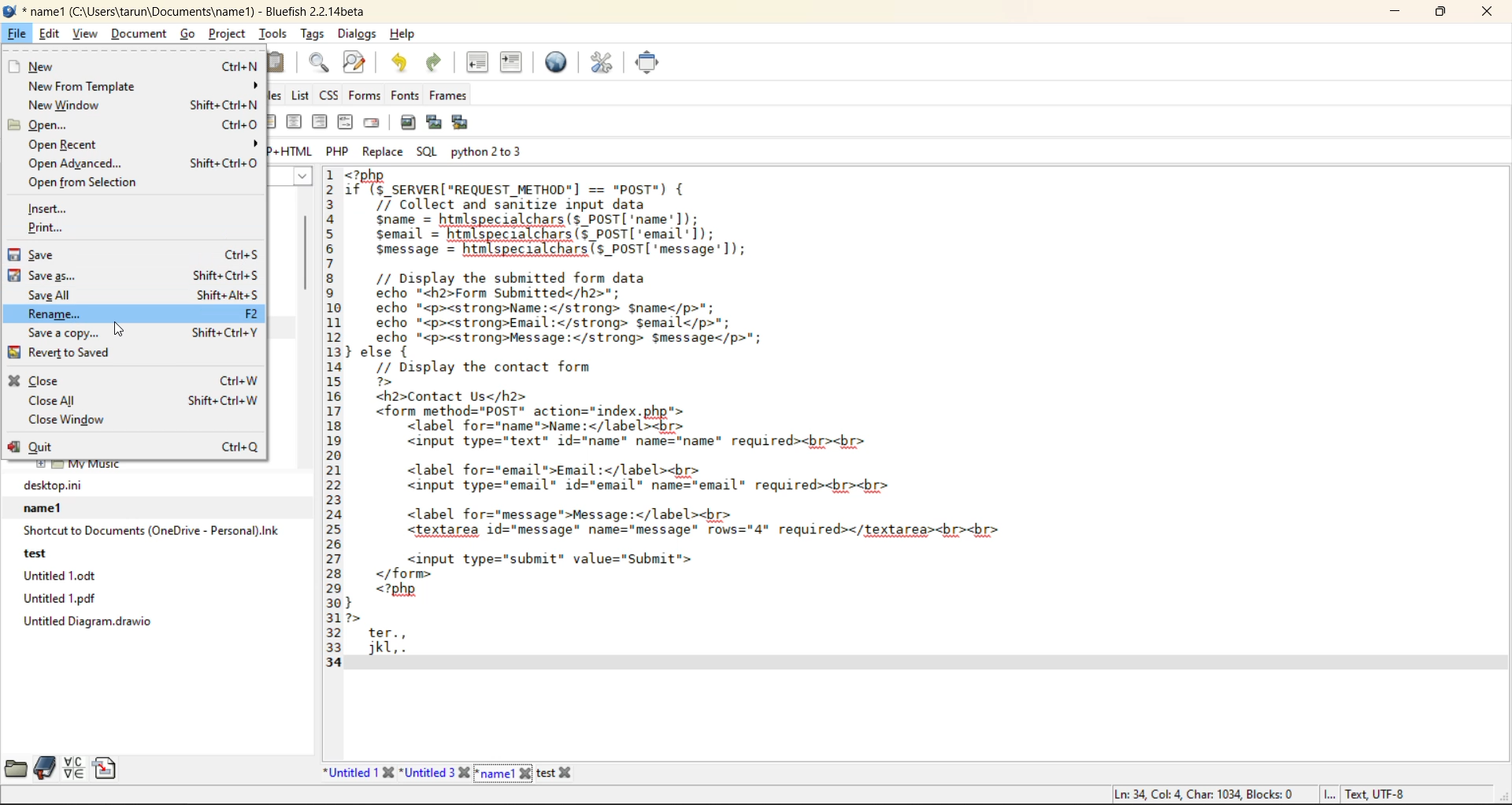 This screenshot has height=805, width=1512. What do you see at coordinates (143, 295) in the screenshot?
I see `save all` at bounding box center [143, 295].